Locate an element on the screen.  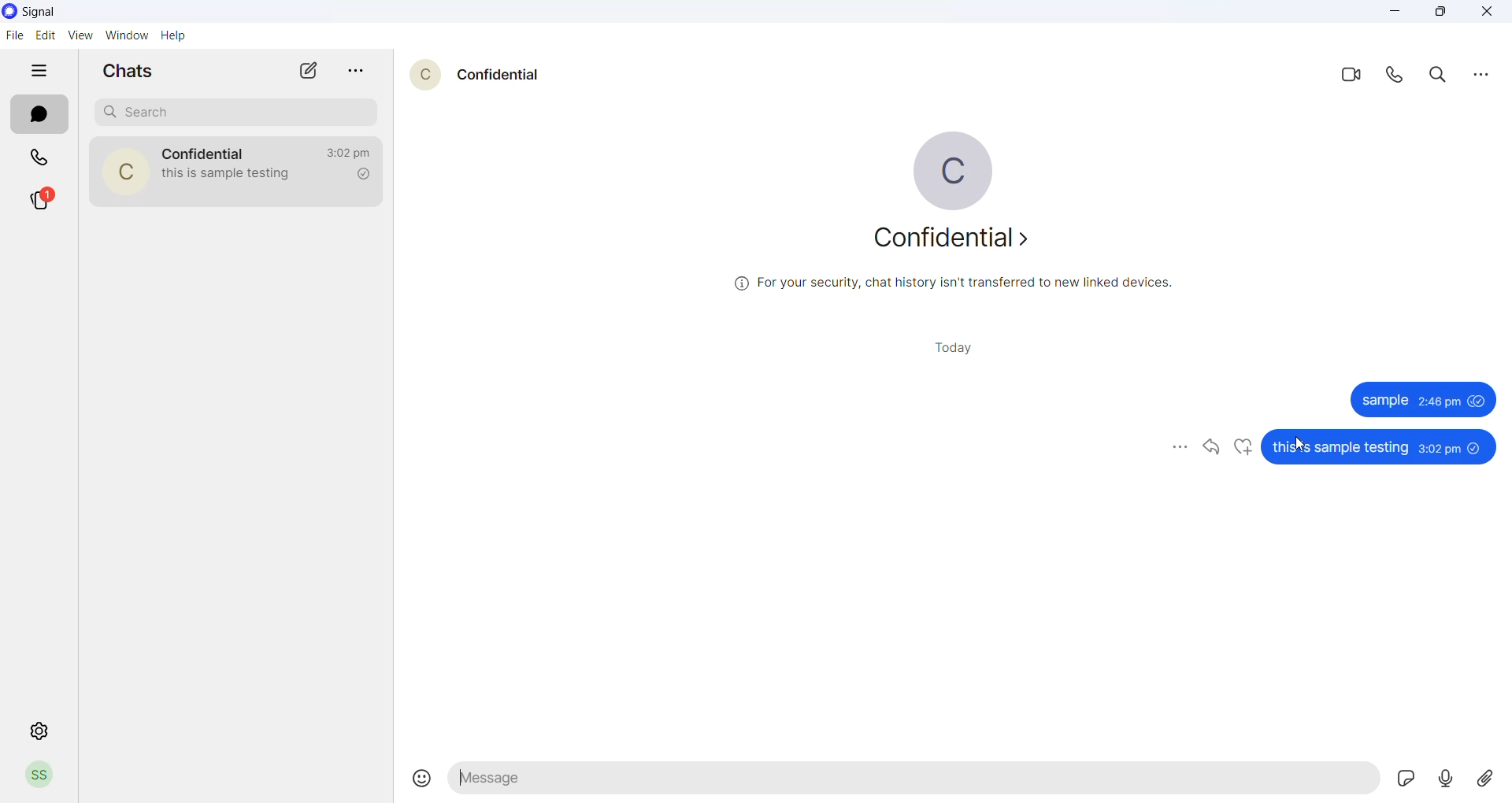
last active message is located at coordinates (346, 154).